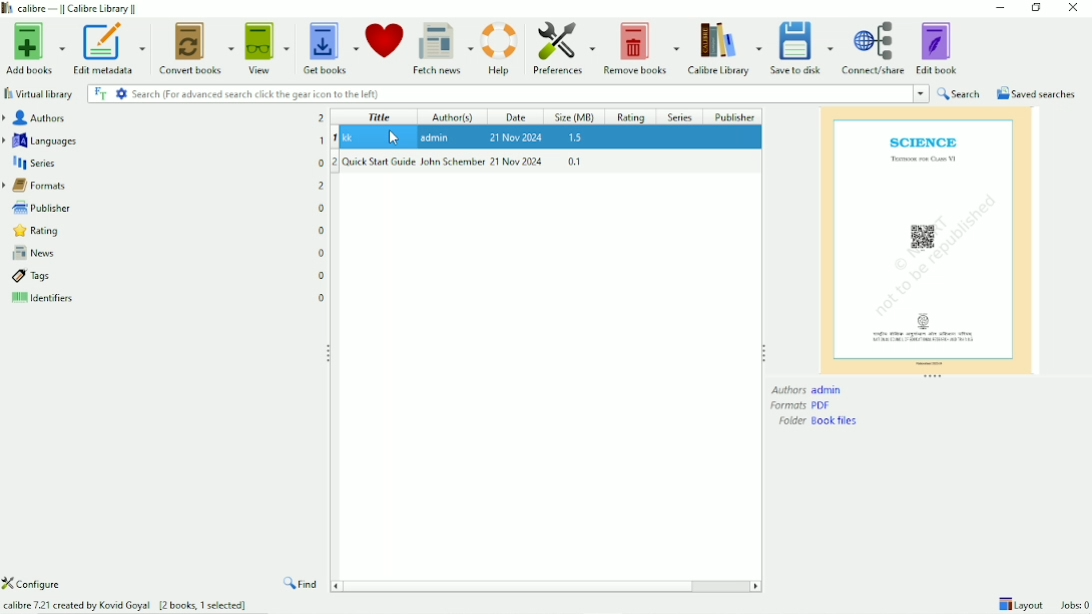 The height and width of the screenshot is (614, 1092). I want to click on Edit book, so click(940, 47).